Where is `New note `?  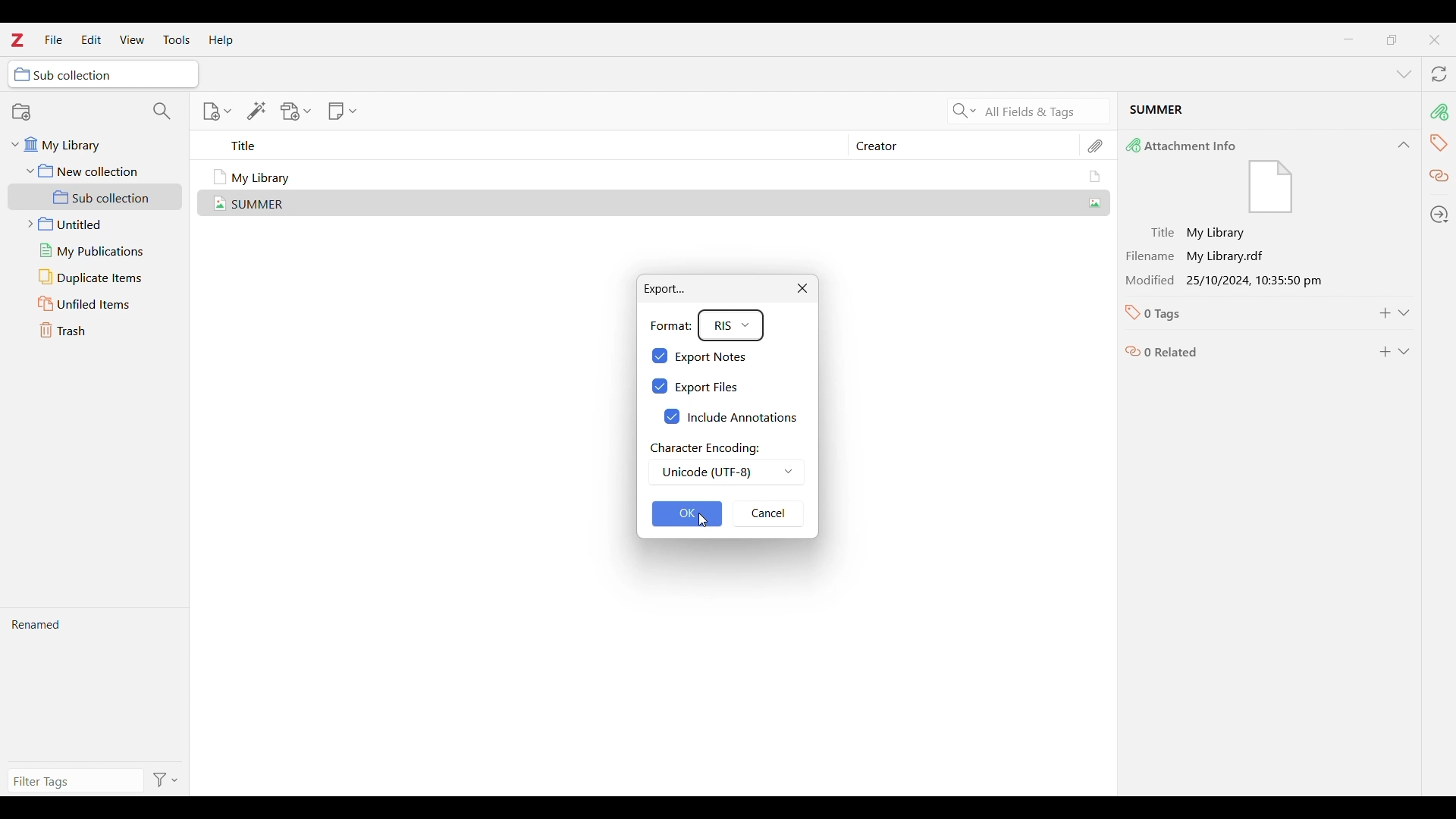 New note  is located at coordinates (342, 111).